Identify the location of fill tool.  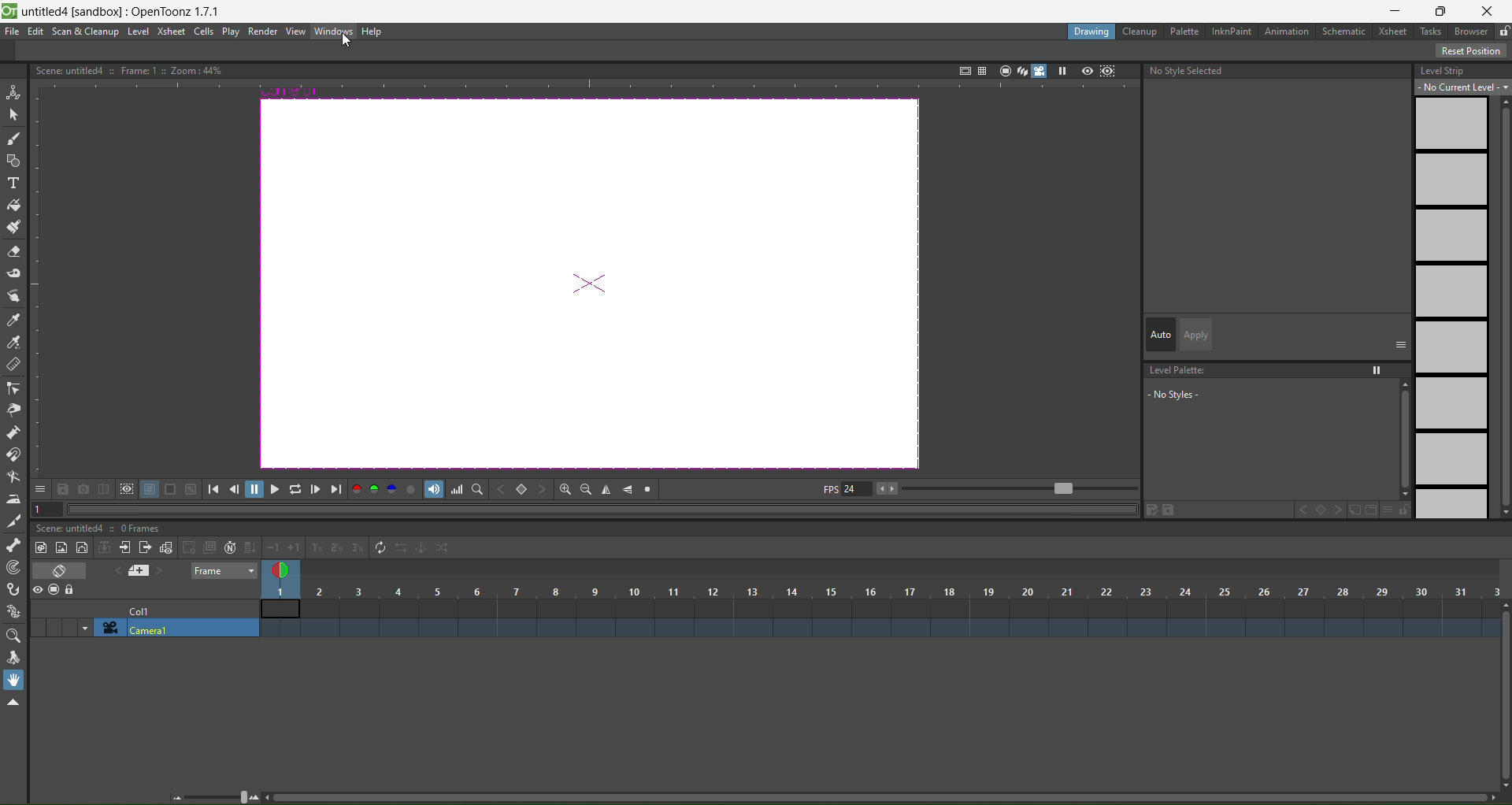
(13, 206).